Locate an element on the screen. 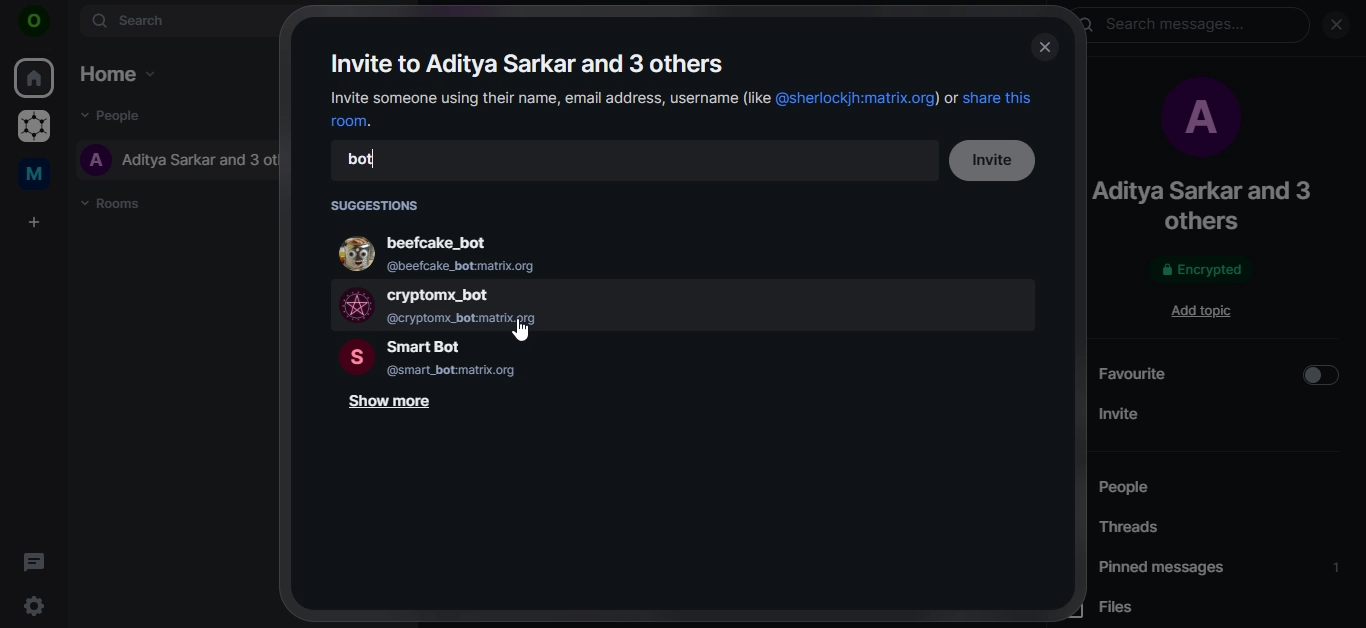 This screenshot has height=628, width=1366. add topic is located at coordinates (1208, 310).